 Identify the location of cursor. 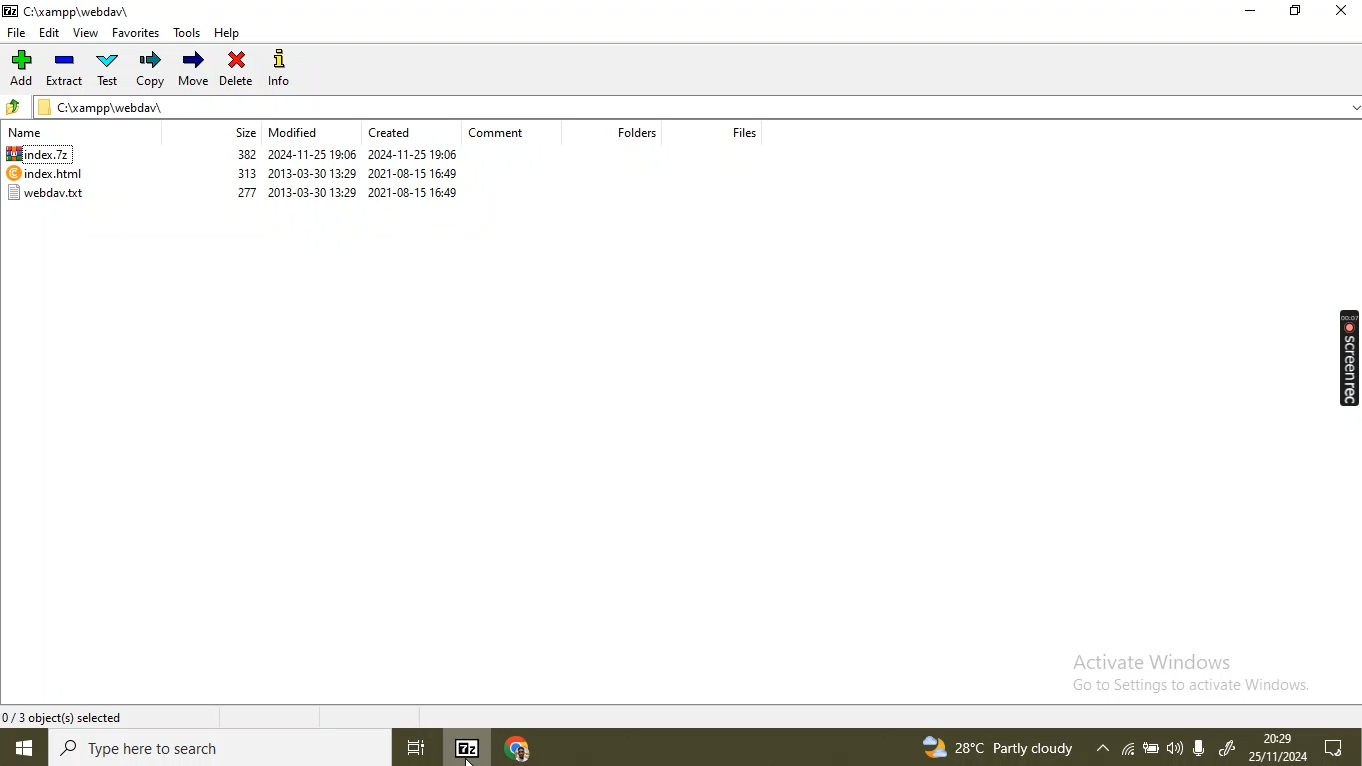
(471, 757).